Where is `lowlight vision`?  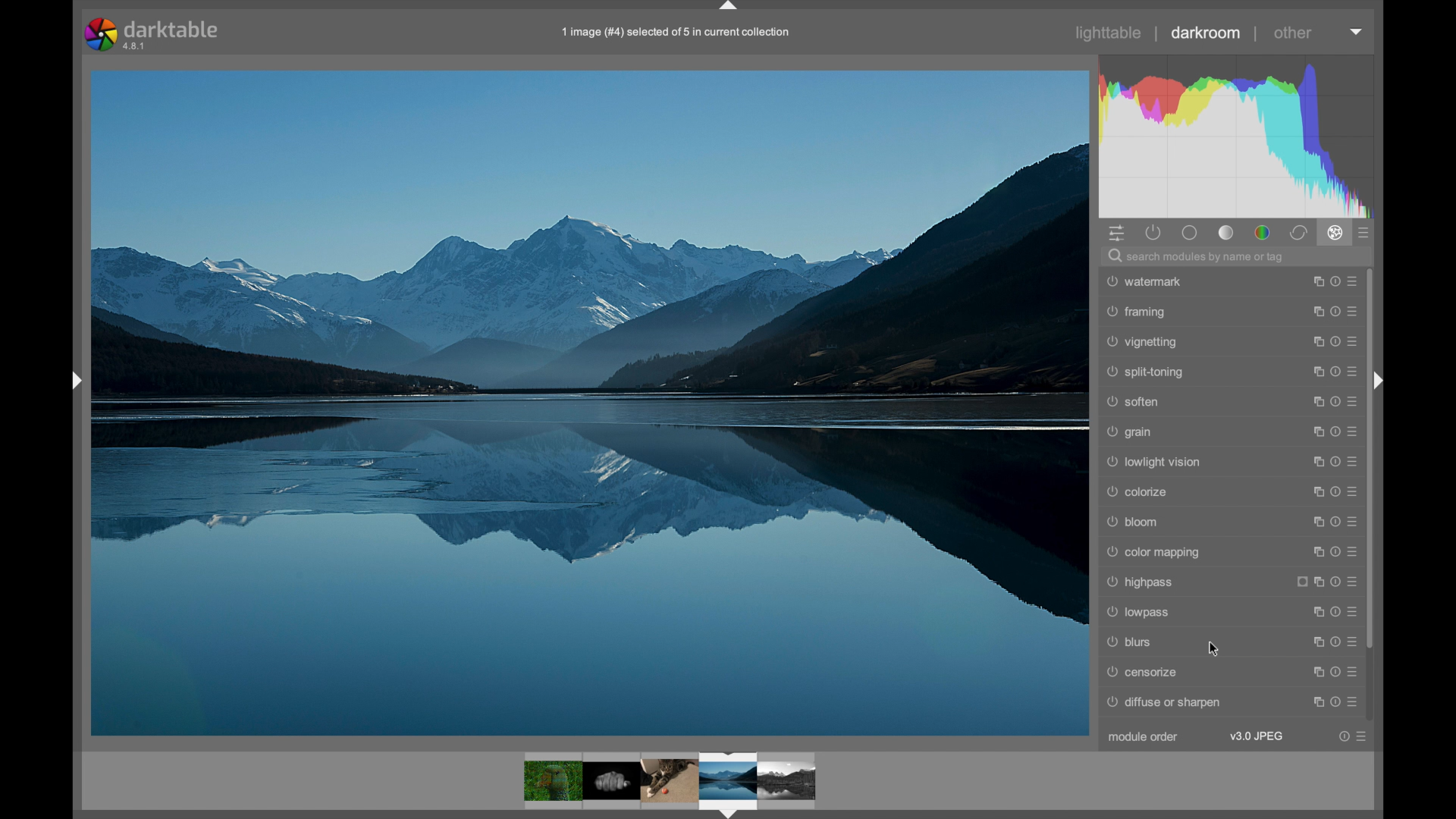 lowlight vision is located at coordinates (1154, 463).